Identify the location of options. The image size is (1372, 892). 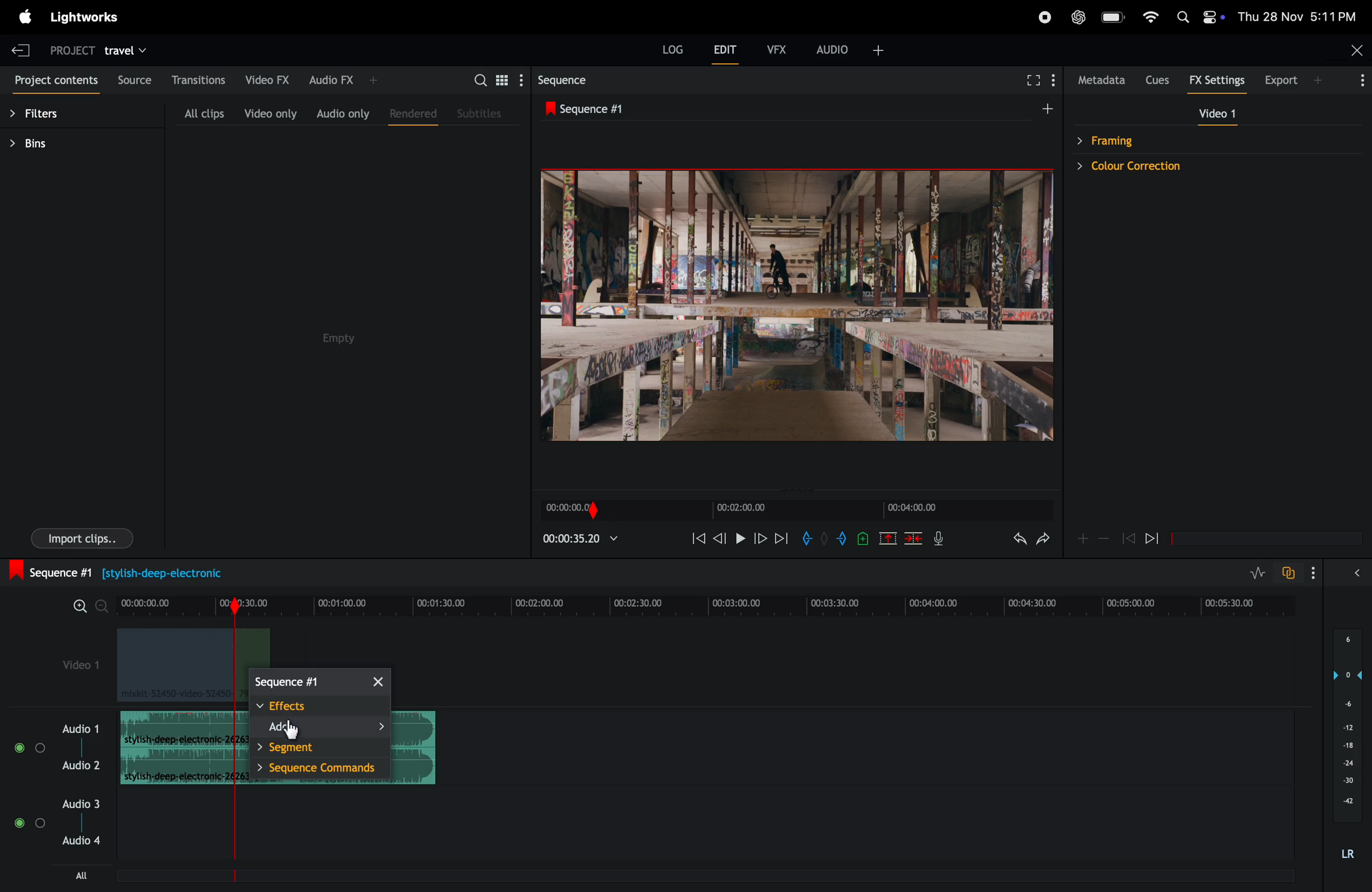
(1355, 79).